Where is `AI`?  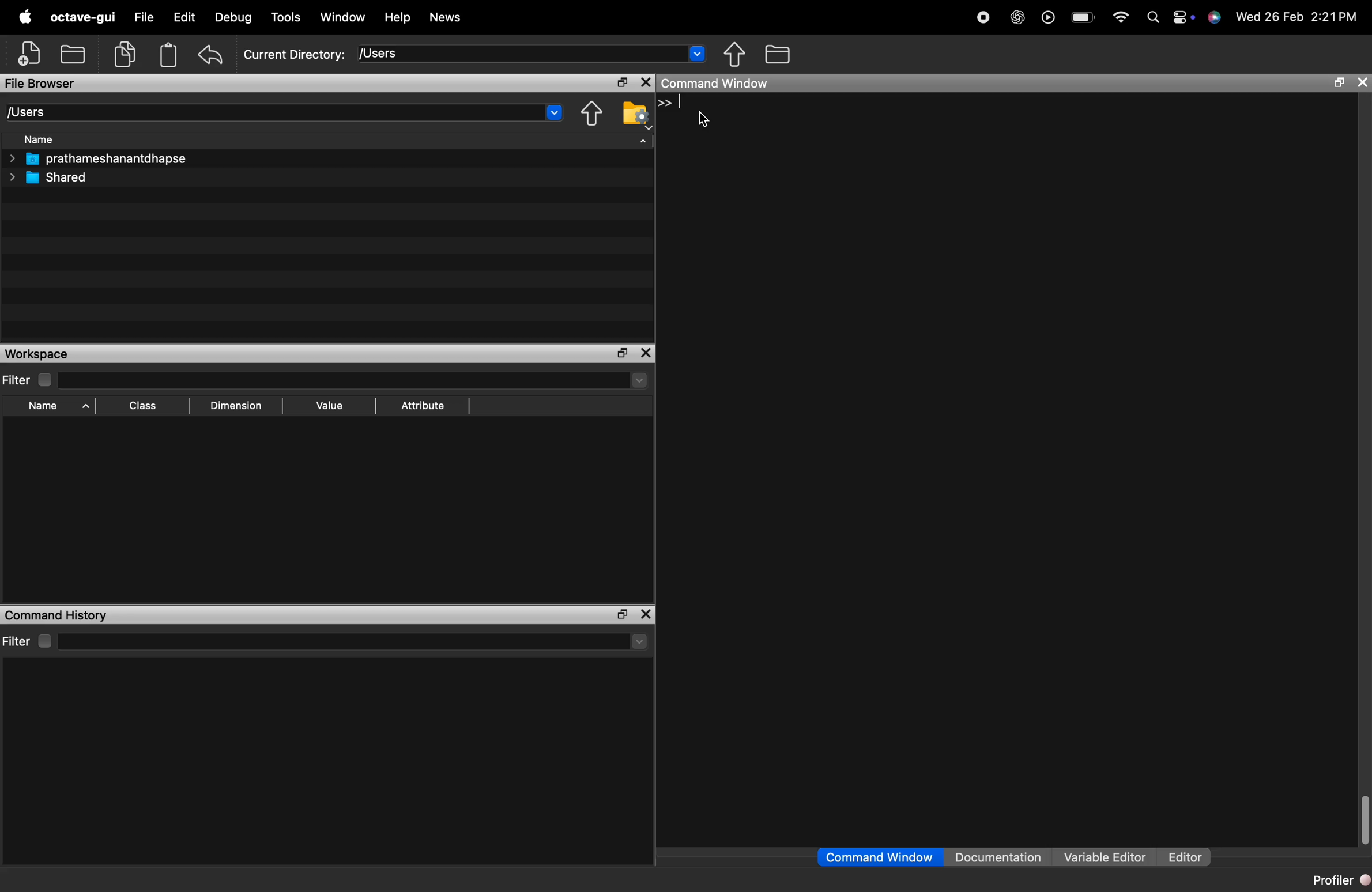 AI is located at coordinates (1020, 17).